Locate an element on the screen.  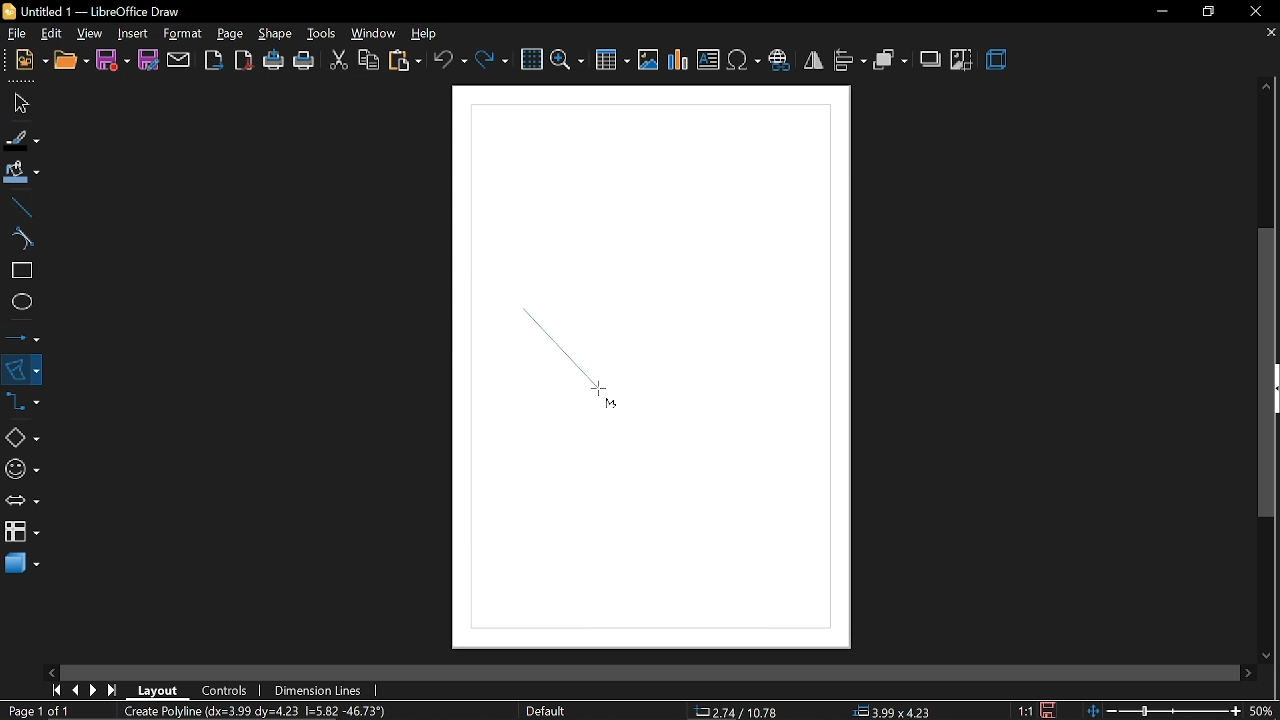
connectors is located at coordinates (23, 407).